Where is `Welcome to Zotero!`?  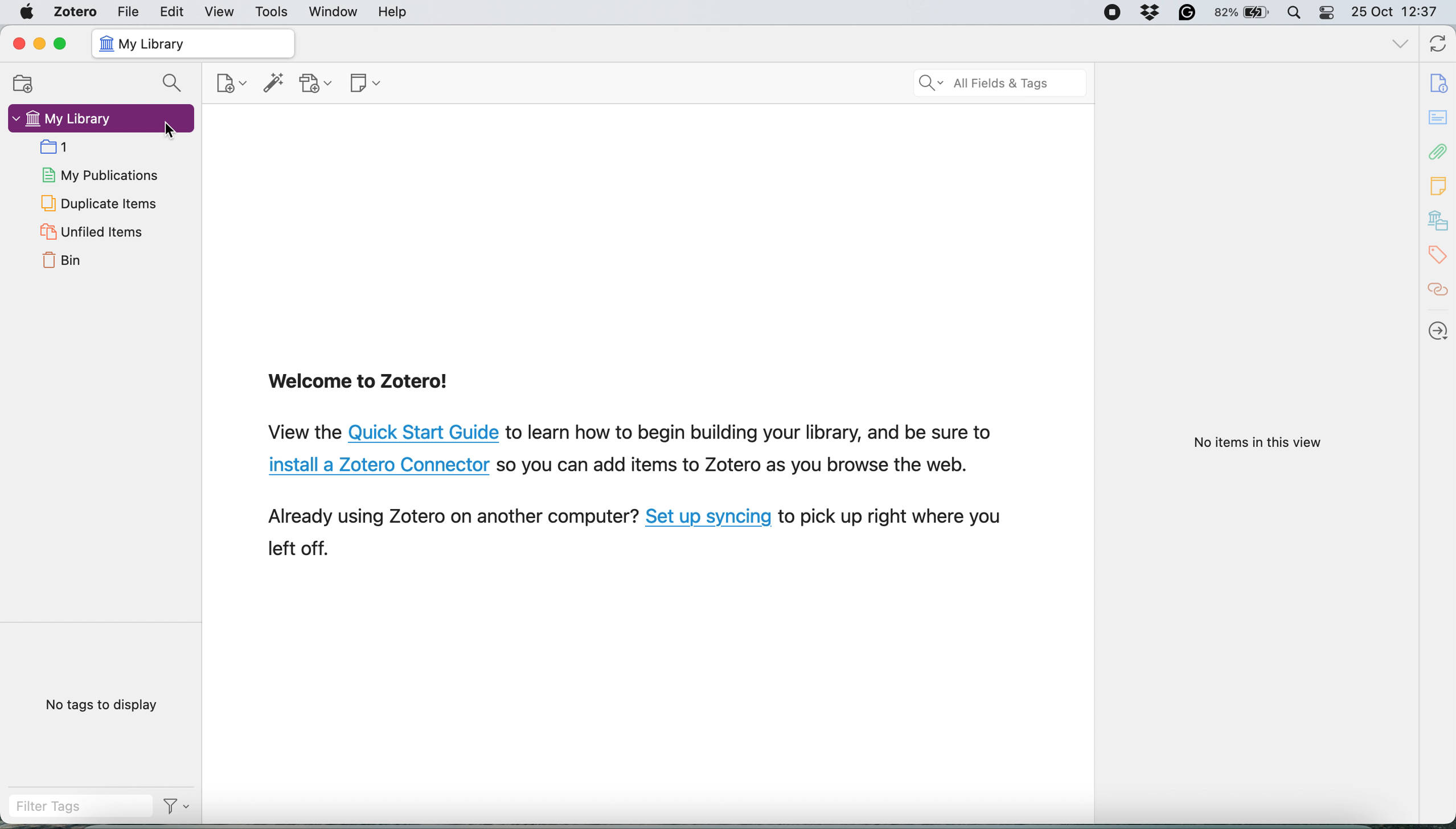
Welcome to Zotero! is located at coordinates (367, 383).